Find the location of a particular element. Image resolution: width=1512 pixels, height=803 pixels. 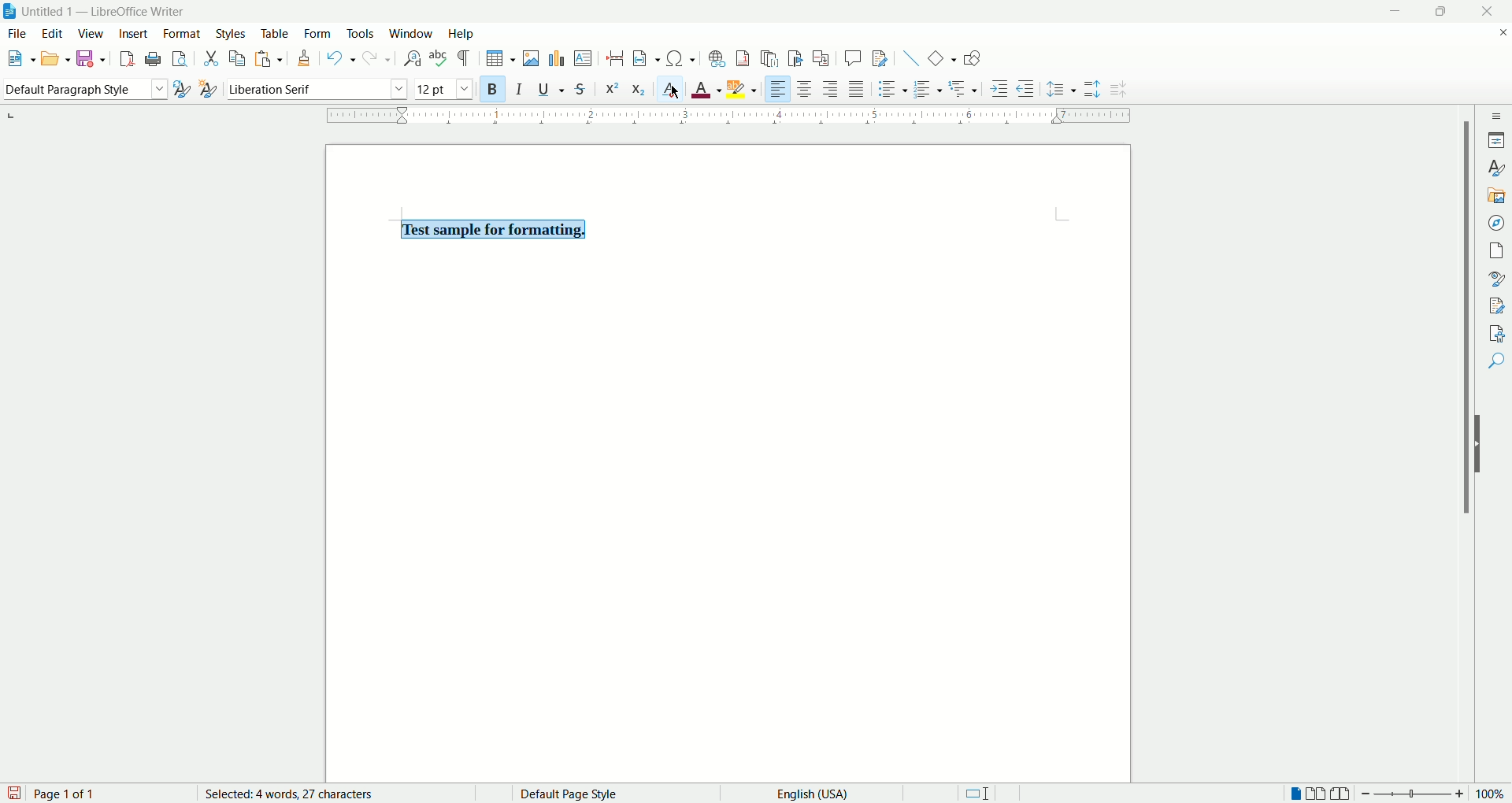

subscript is located at coordinates (639, 88).